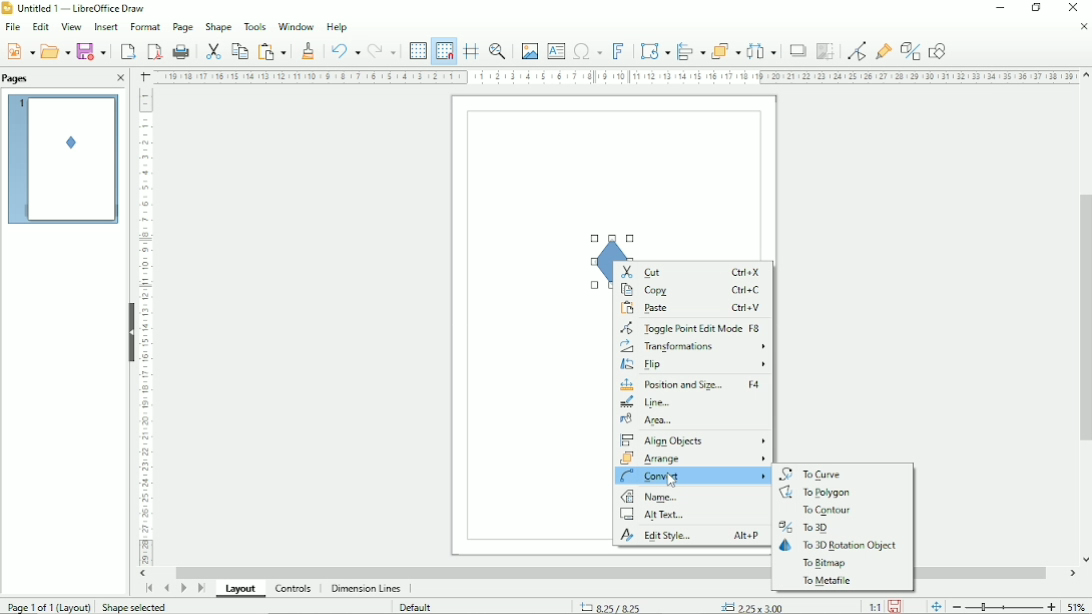 This screenshot has width=1092, height=614. I want to click on Layout, so click(239, 589).